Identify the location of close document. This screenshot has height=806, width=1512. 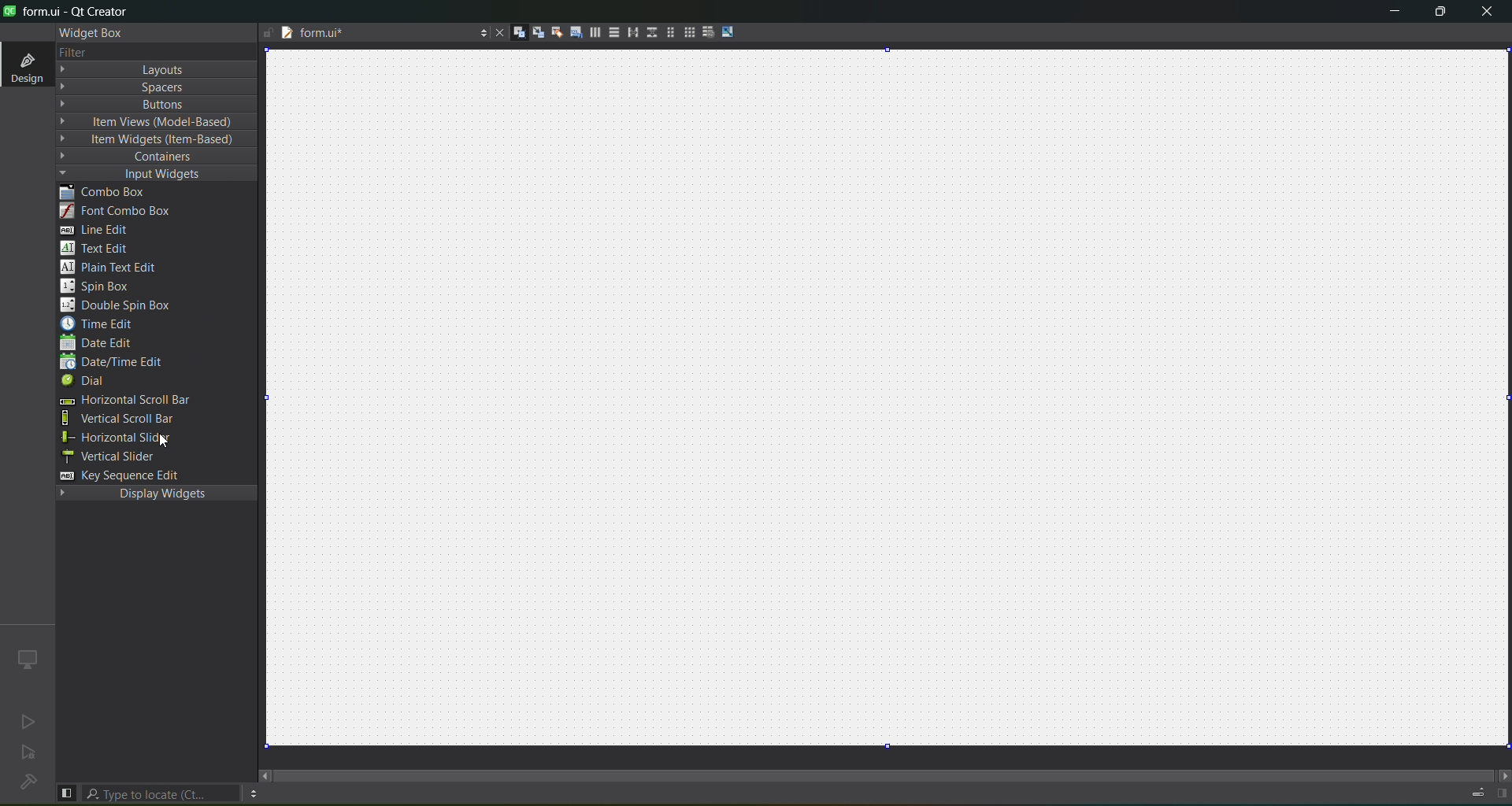
(498, 31).